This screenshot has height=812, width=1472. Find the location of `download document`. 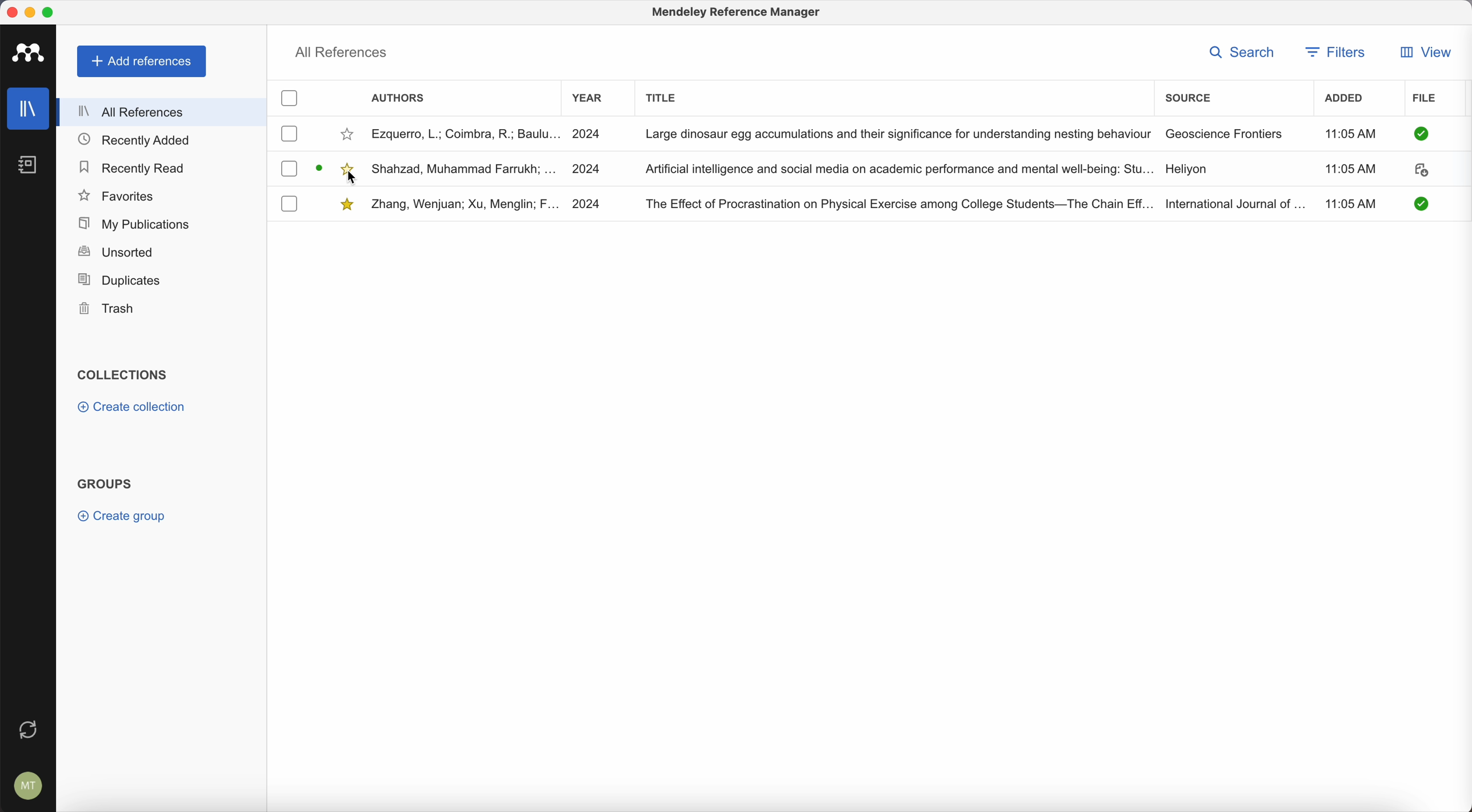

download document is located at coordinates (321, 166).